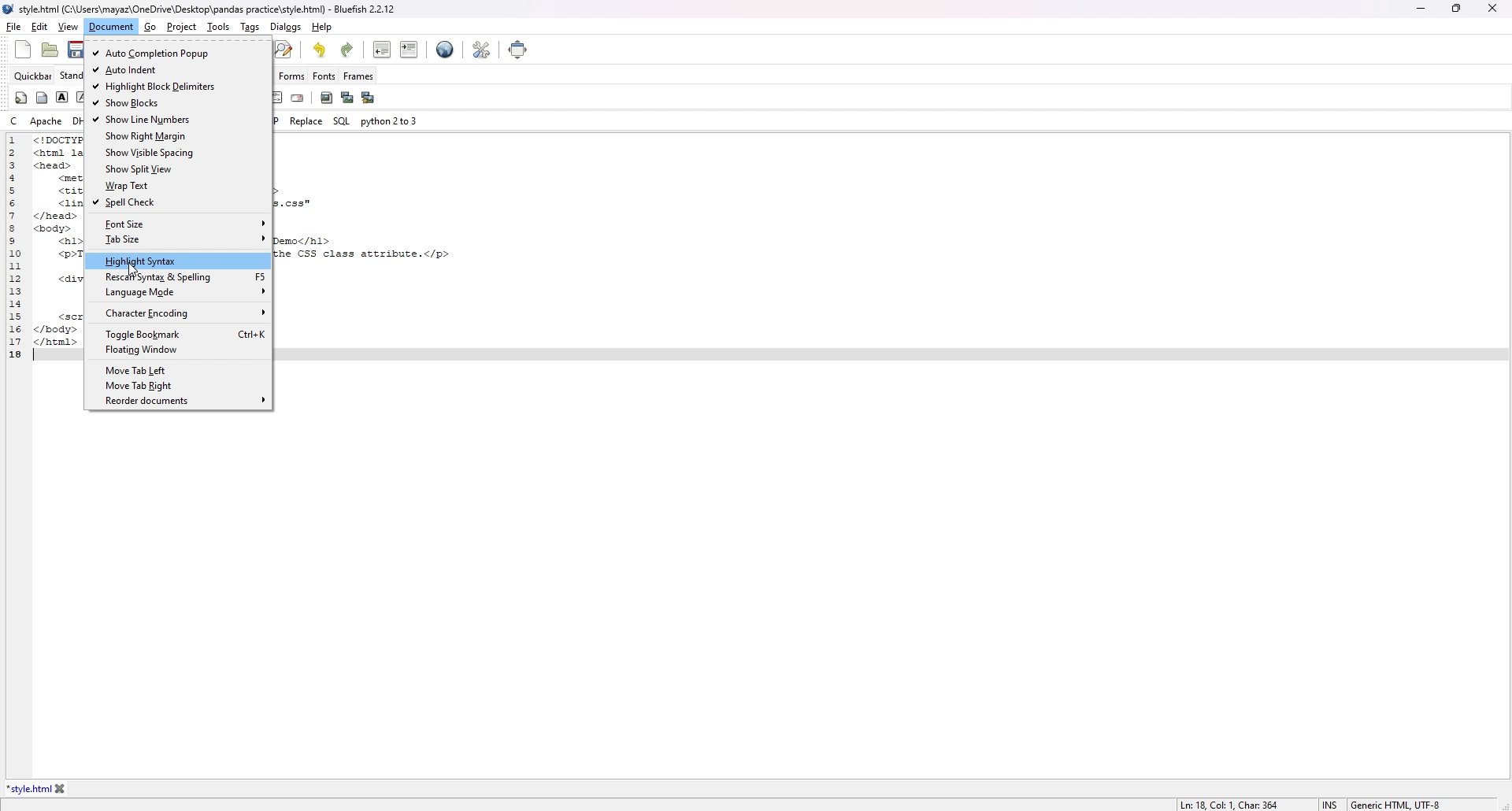 The image size is (1512, 811). Describe the element at coordinates (276, 96) in the screenshot. I see `html comment` at that location.